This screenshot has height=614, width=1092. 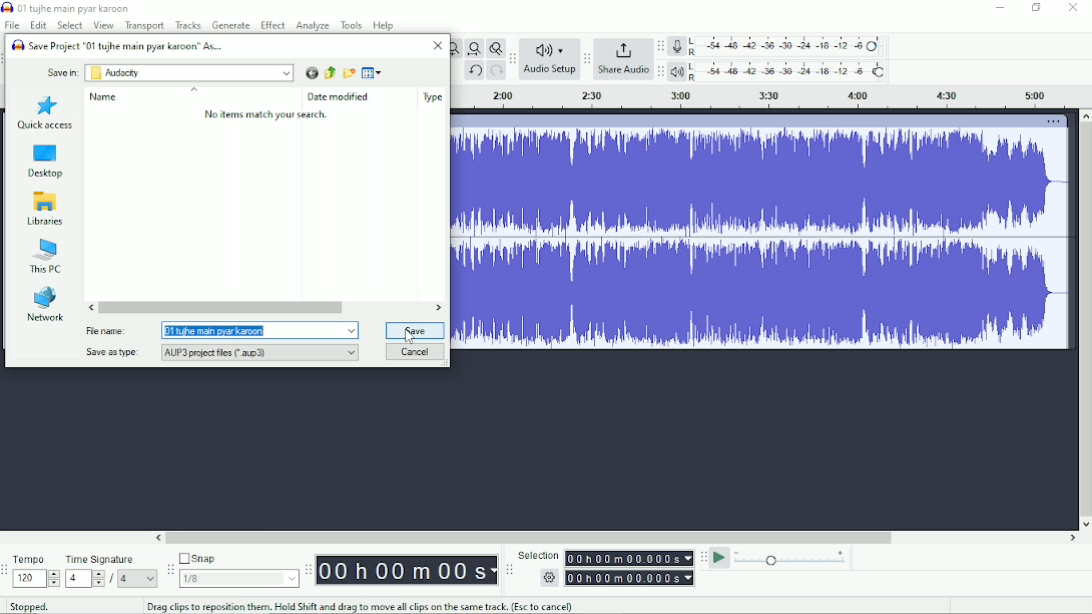 I want to click on Go to last folder visited, so click(x=310, y=72).